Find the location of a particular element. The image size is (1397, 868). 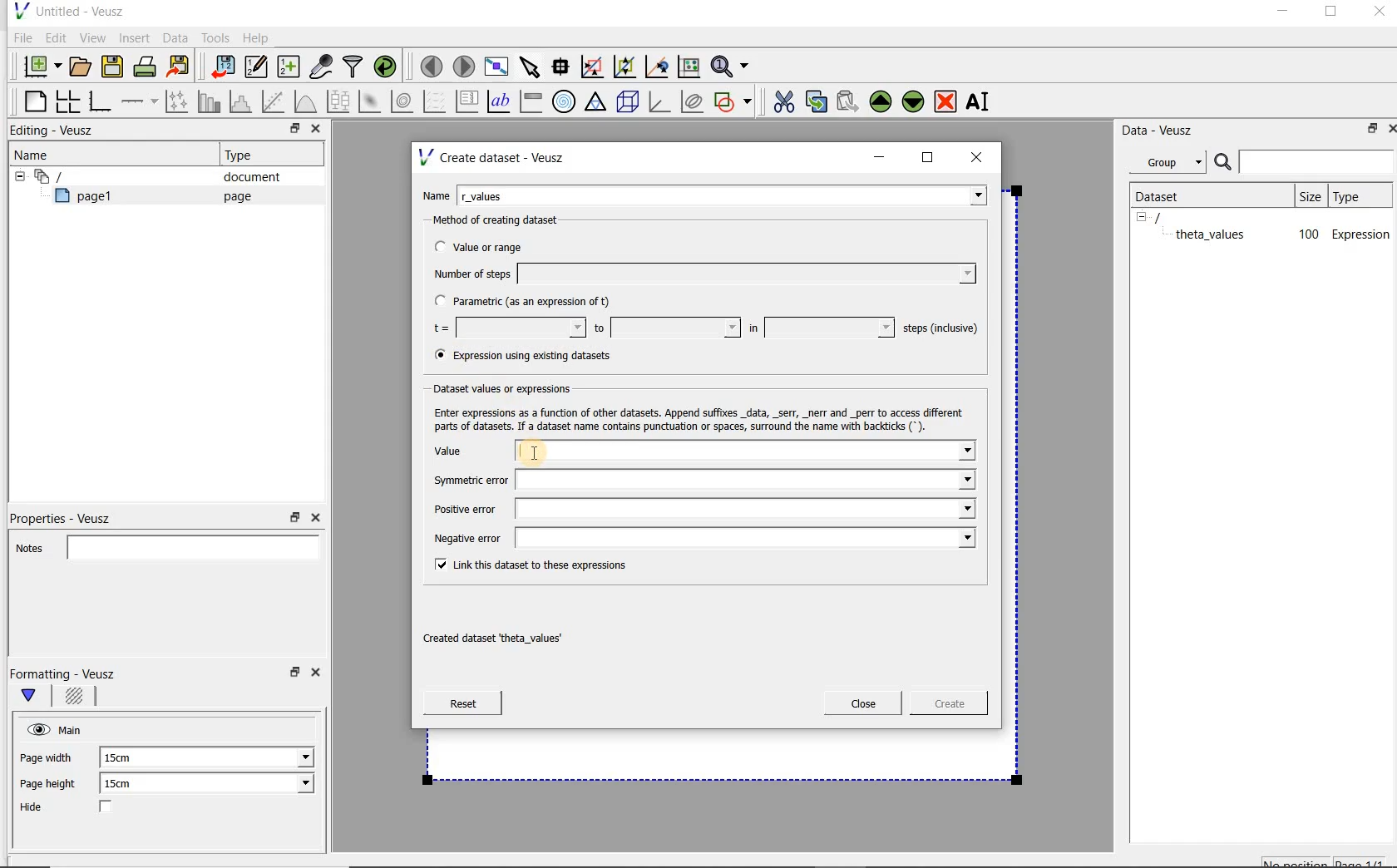

Read data points on the graph is located at coordinates (563, 67).